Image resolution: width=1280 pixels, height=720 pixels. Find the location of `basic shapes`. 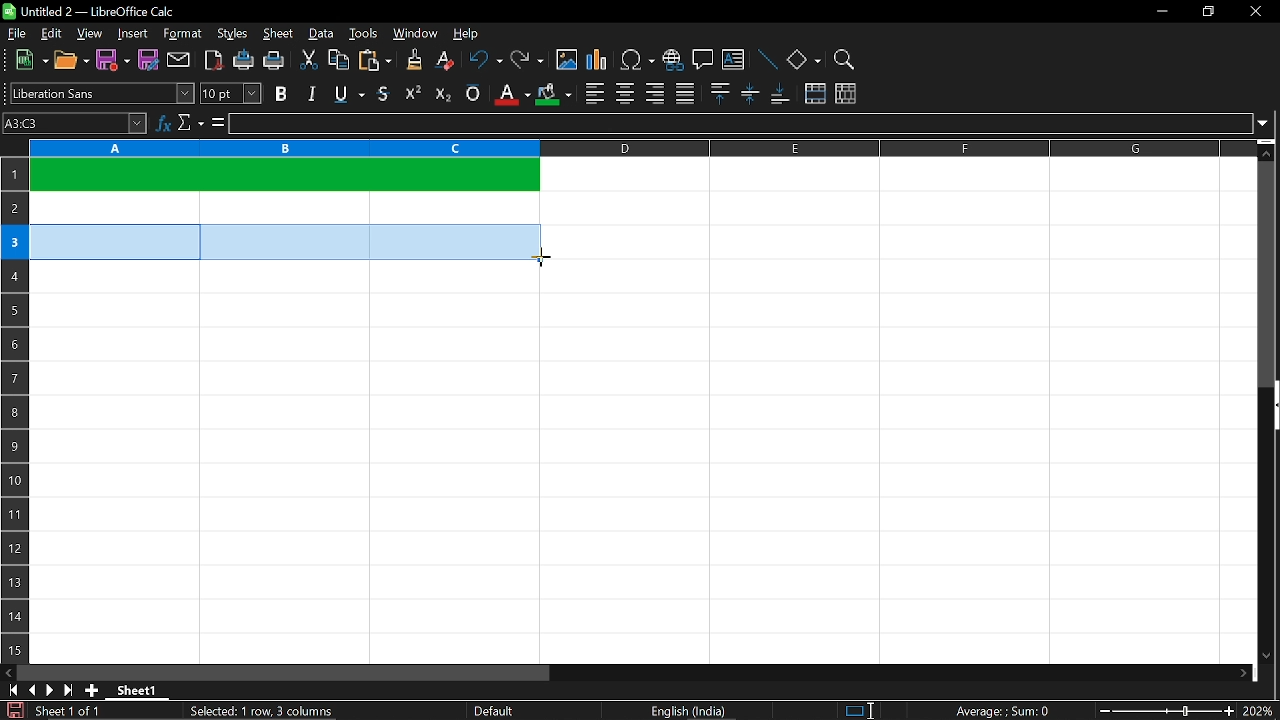

basic shapes is located at coordinates (804, 59).